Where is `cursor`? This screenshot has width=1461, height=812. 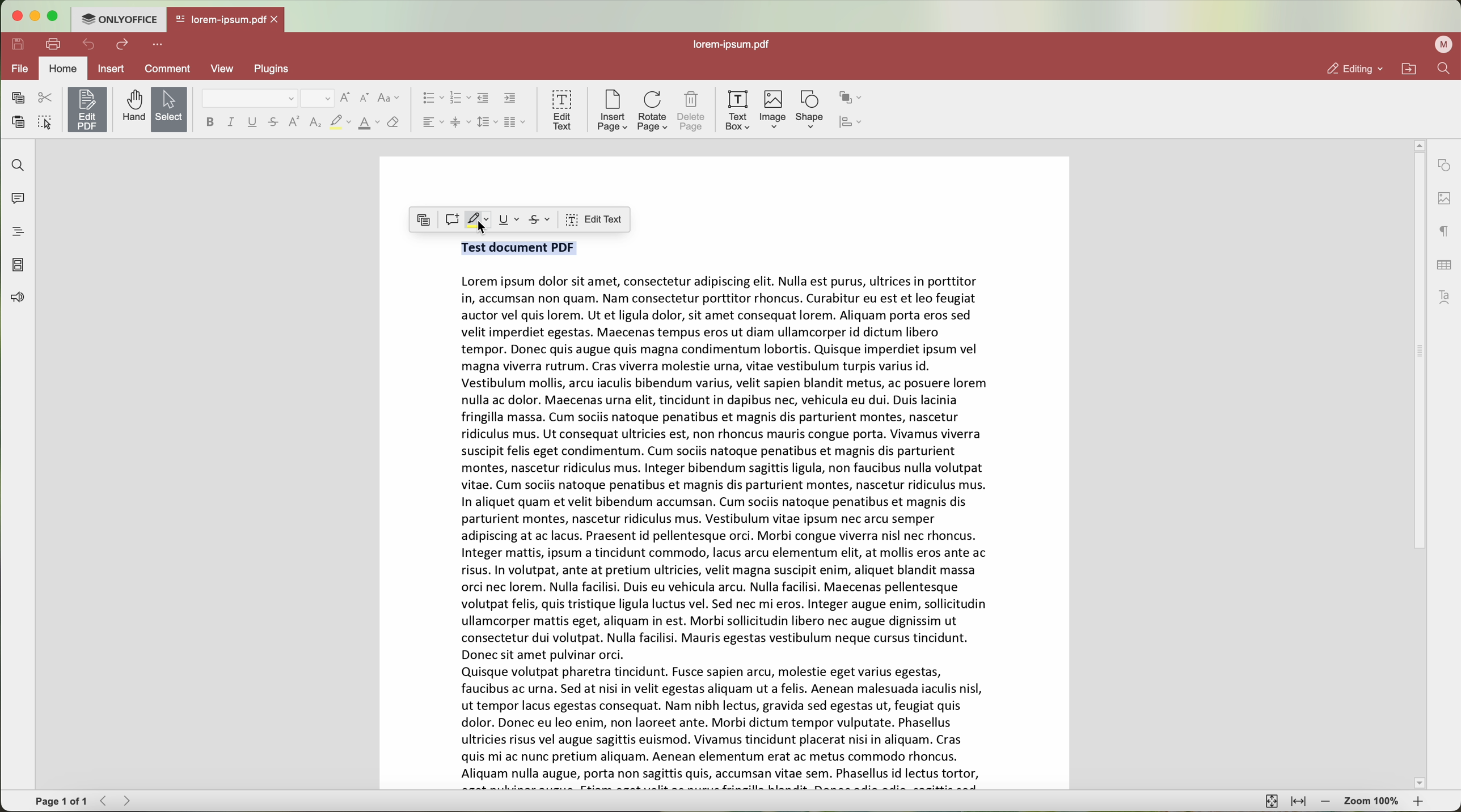 cursor is located at coordinates (488, 230).